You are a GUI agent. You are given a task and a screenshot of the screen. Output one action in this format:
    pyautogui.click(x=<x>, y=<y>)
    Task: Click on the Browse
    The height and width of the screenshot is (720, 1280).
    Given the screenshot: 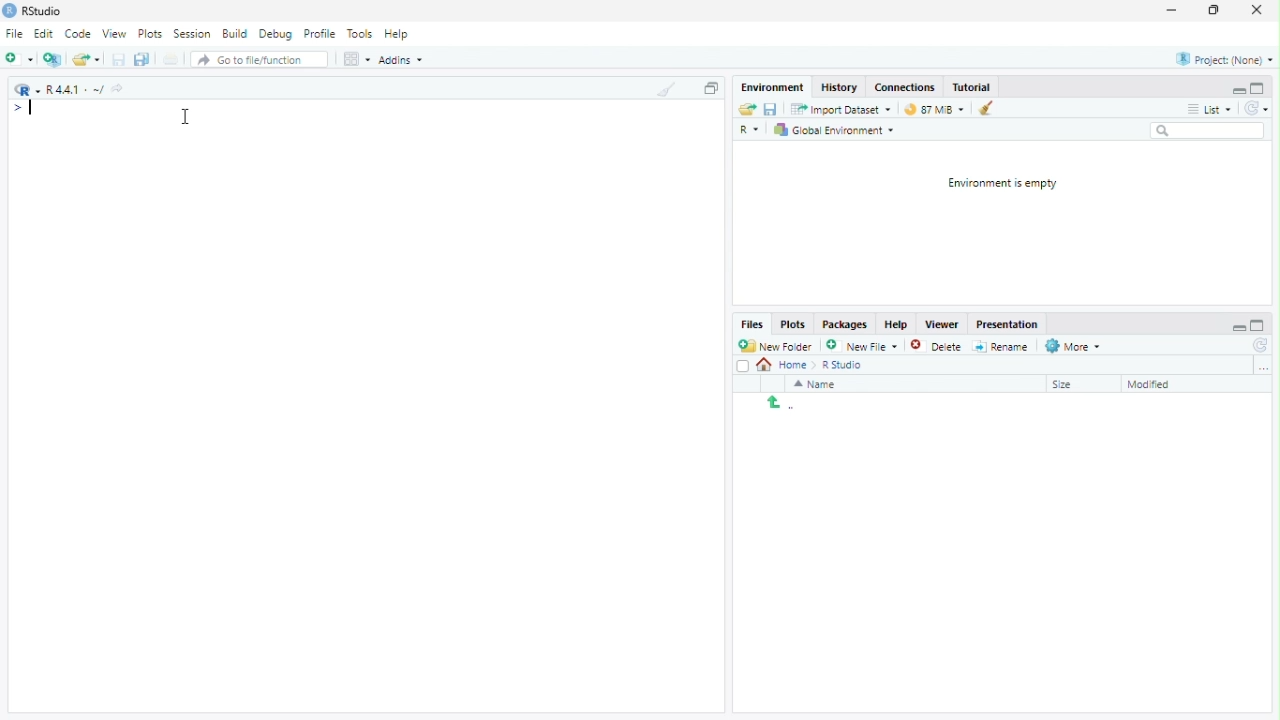 What is the action you would take?
    pyautogui.click(x=1264, y=367)
    